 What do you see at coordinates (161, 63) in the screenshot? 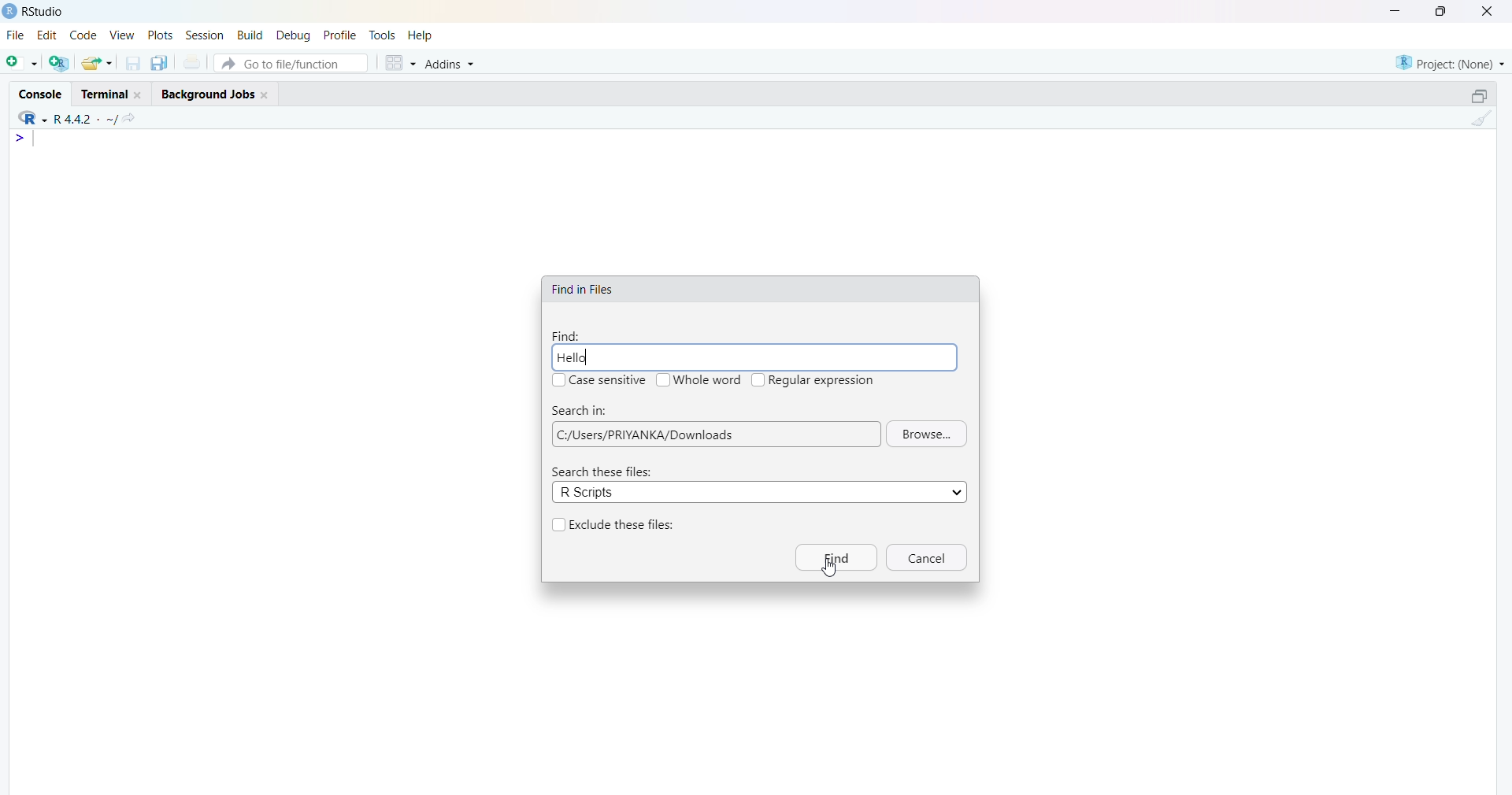
I see `duplicate` at bounding box center [161, 63].